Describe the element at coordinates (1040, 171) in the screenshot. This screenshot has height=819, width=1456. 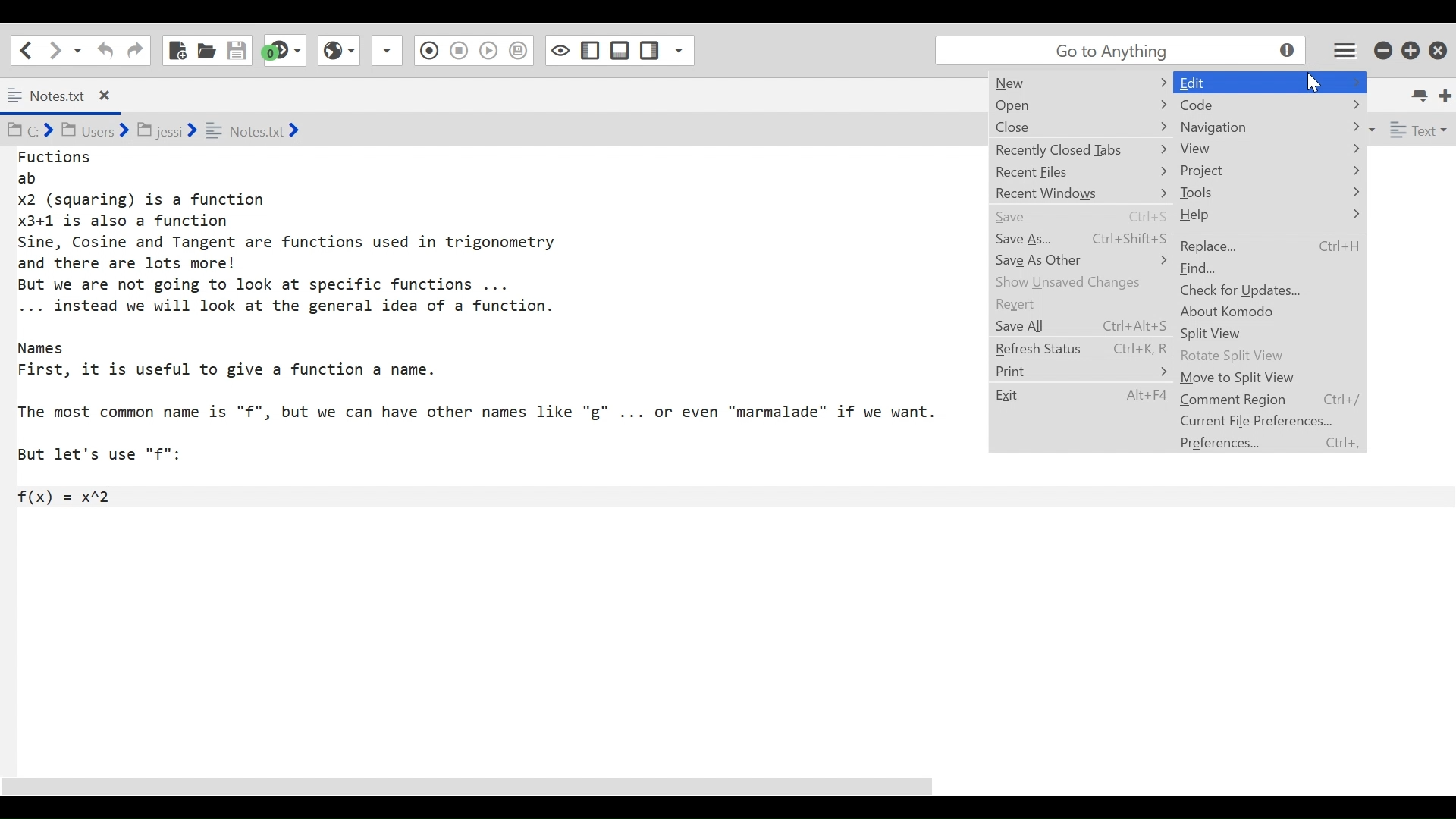
I see `recent flies` at that location.